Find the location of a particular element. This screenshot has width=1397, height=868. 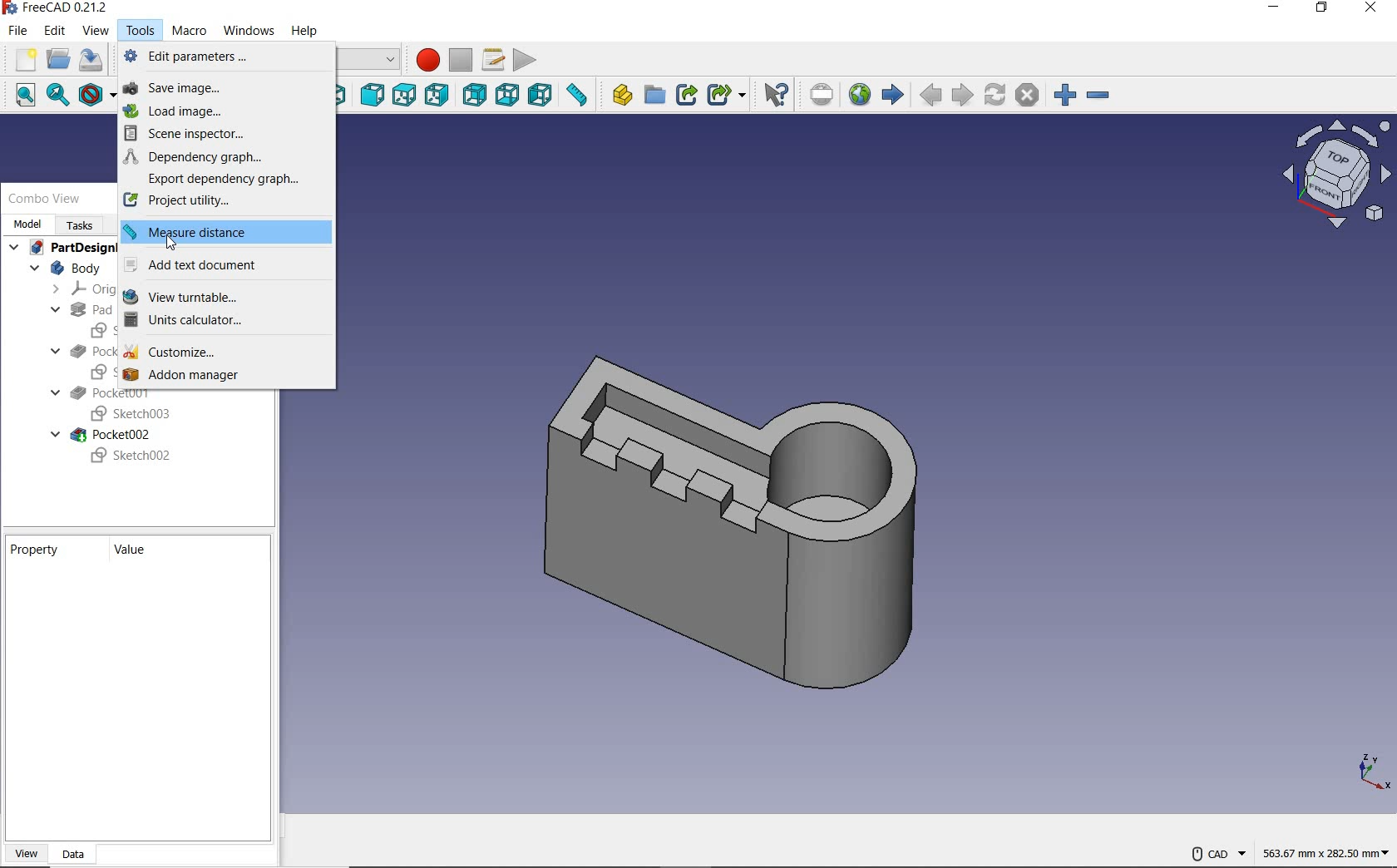

zoom out is located at coordinates (1098, 96).